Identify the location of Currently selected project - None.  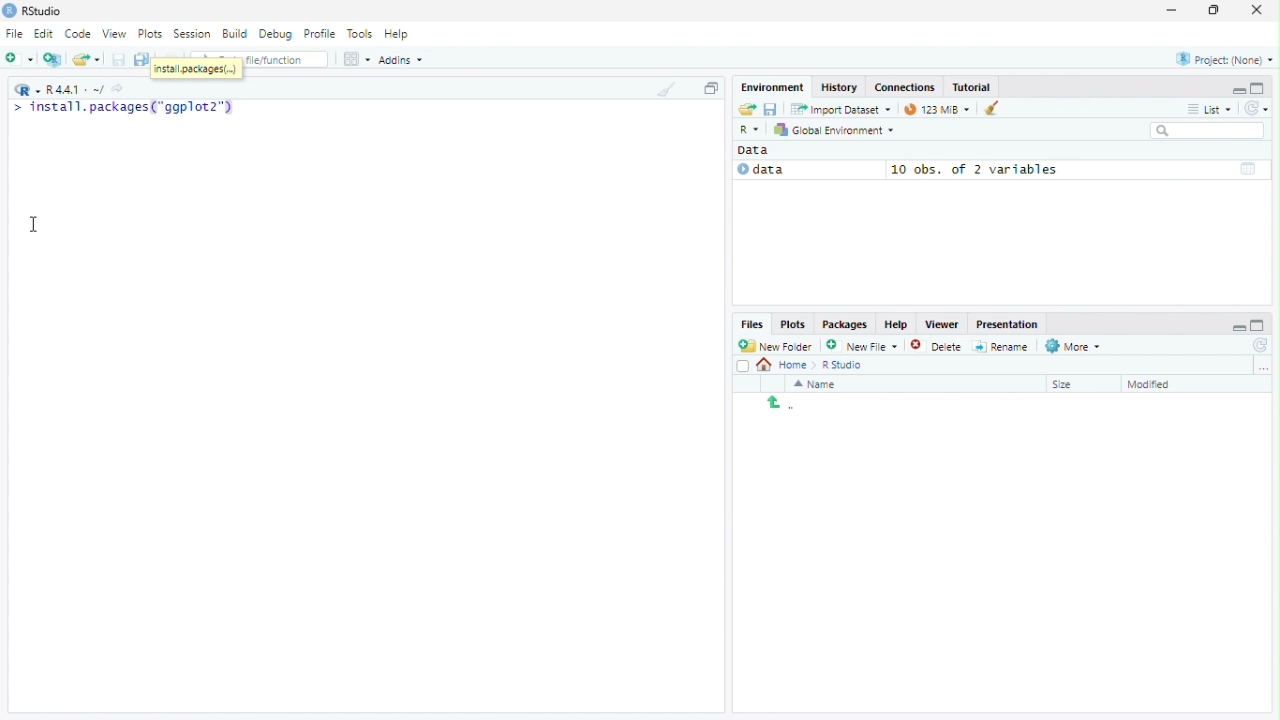
(1223, 58).